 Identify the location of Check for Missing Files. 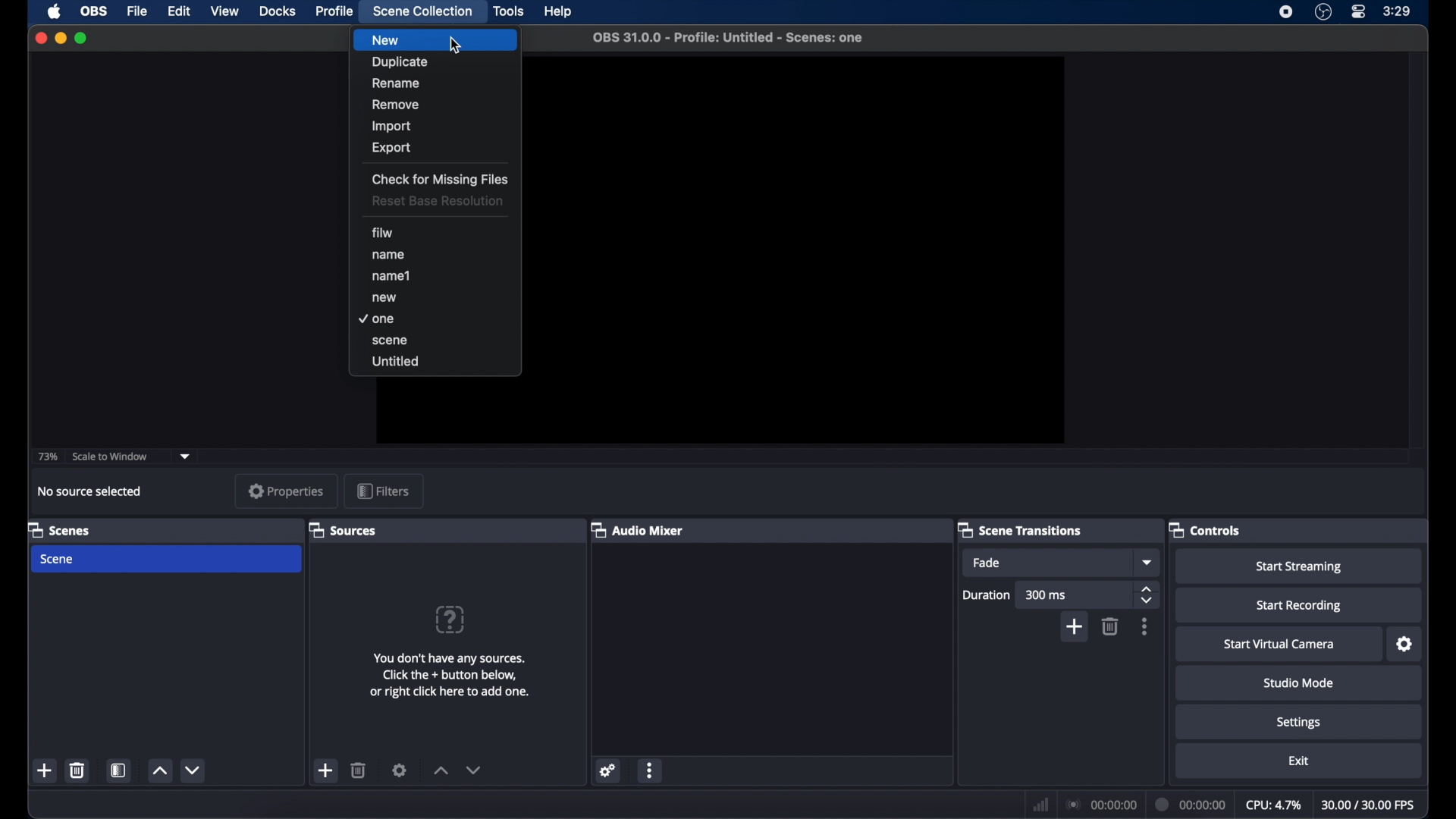
(441, 179).